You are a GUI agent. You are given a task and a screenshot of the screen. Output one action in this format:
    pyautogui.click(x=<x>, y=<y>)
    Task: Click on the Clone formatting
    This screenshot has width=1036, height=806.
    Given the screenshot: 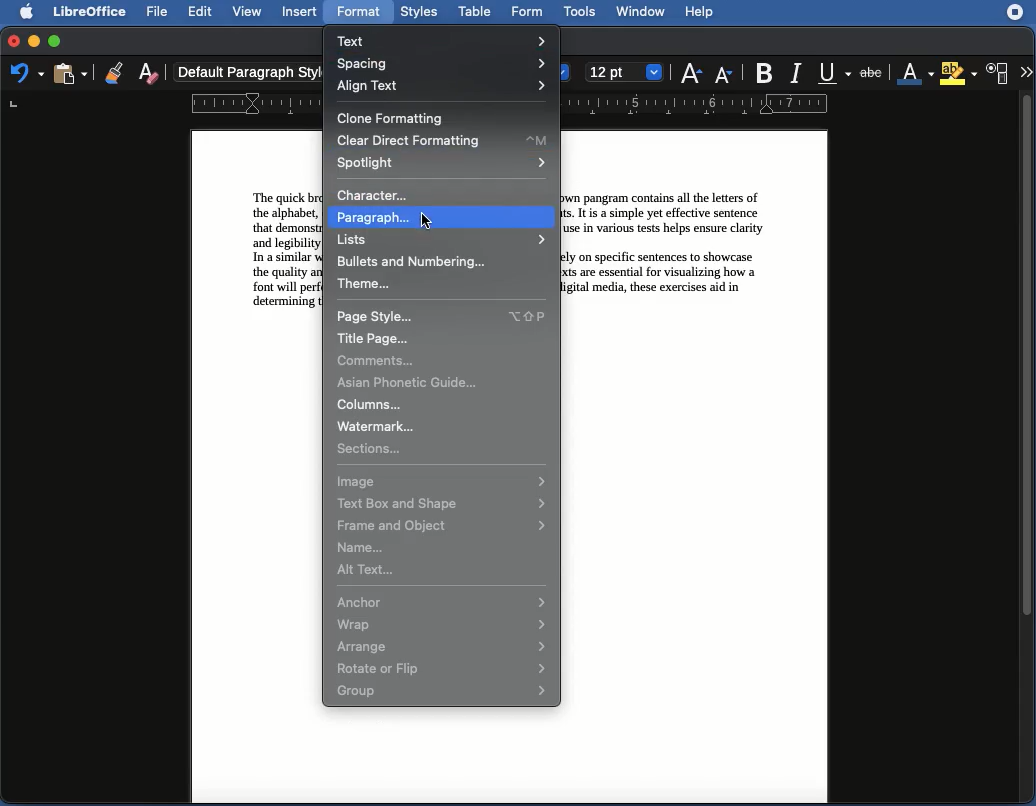 What is the action you would take?
    pyautogui.click(x=115, y=72)
    